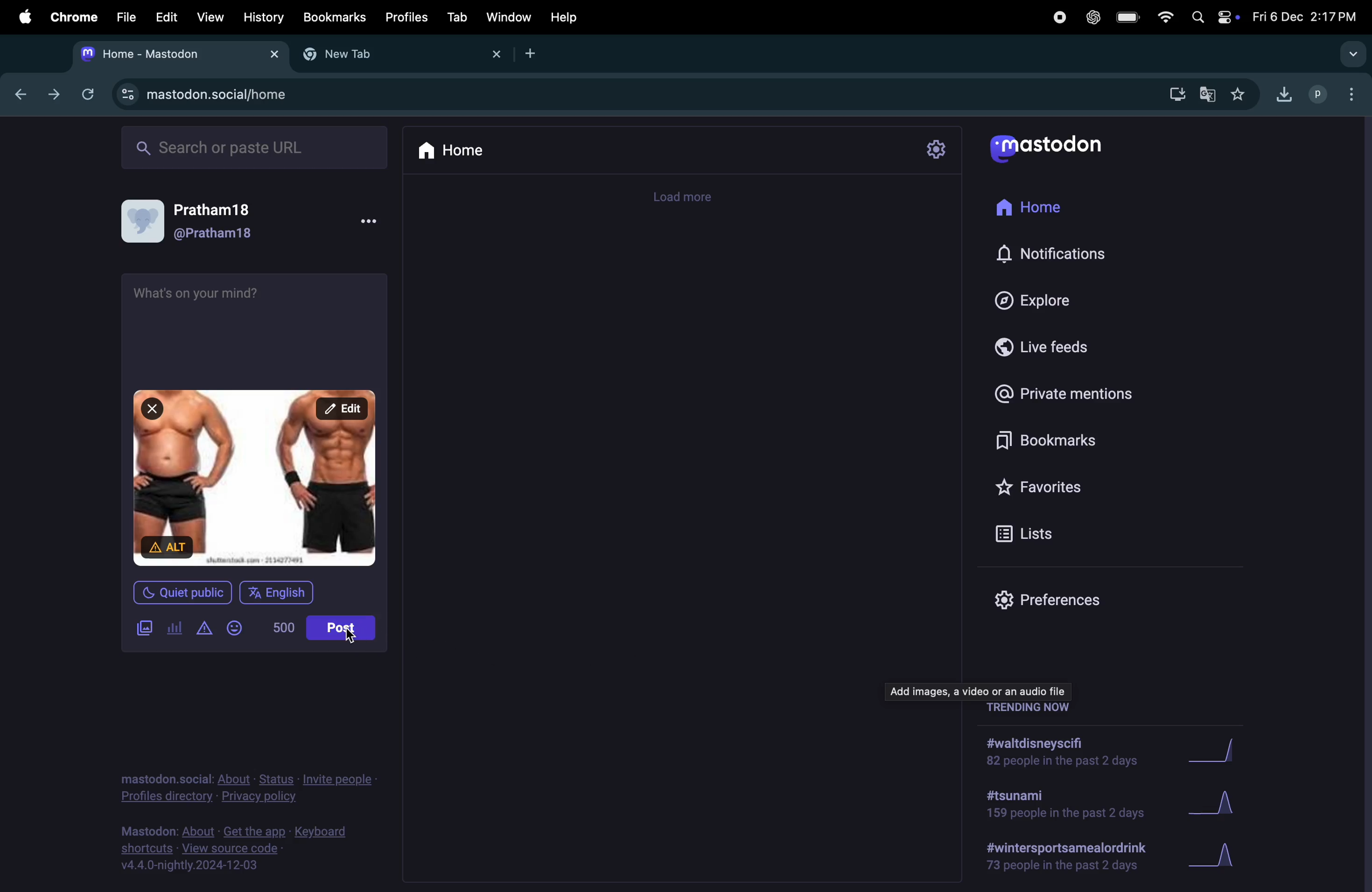  Describe the element at coordinates (689, 198) in the screenshot. I see `load more` at that location.